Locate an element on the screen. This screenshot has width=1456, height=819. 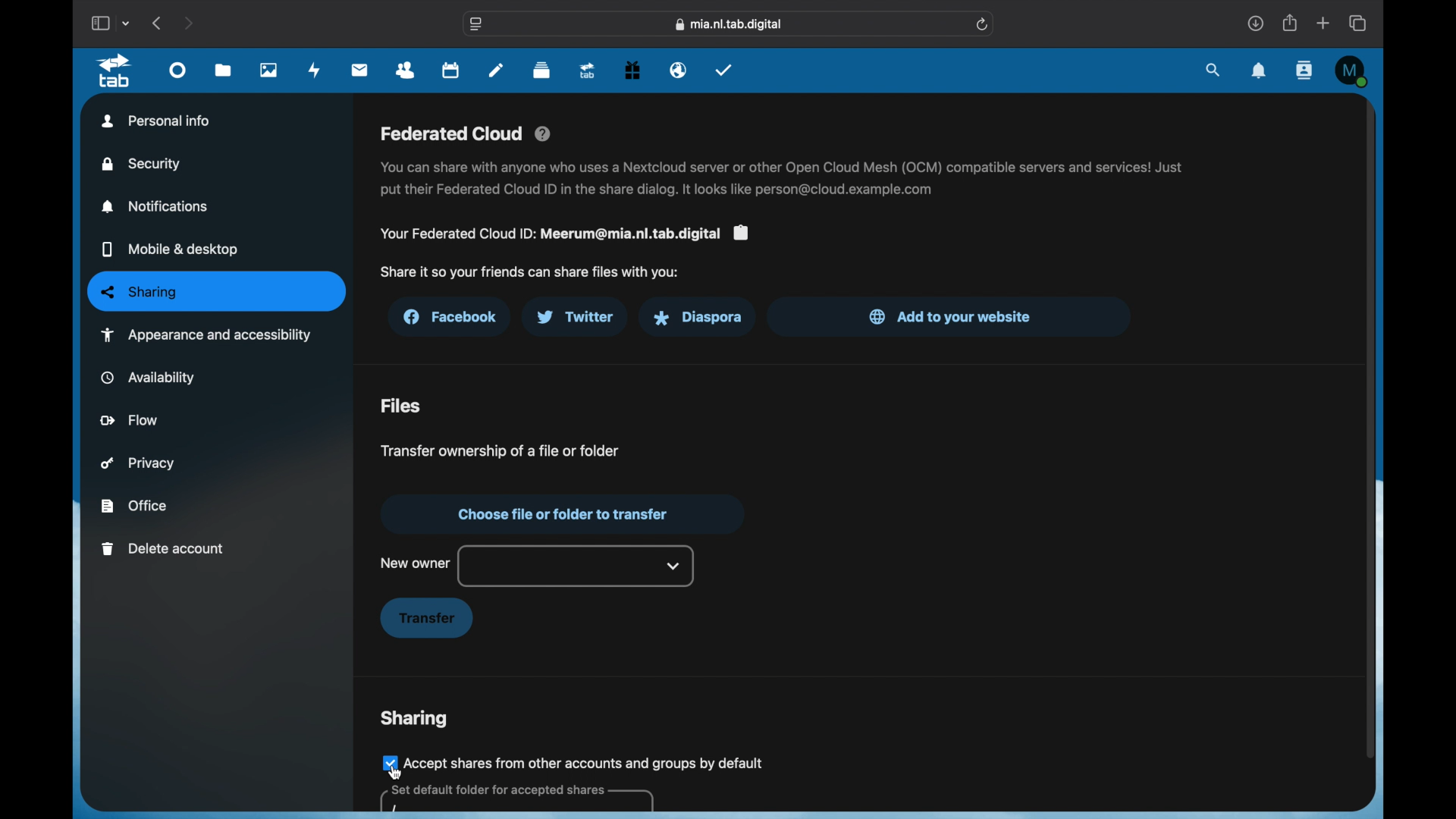
federated cloud is located at coordinates (467, 134).